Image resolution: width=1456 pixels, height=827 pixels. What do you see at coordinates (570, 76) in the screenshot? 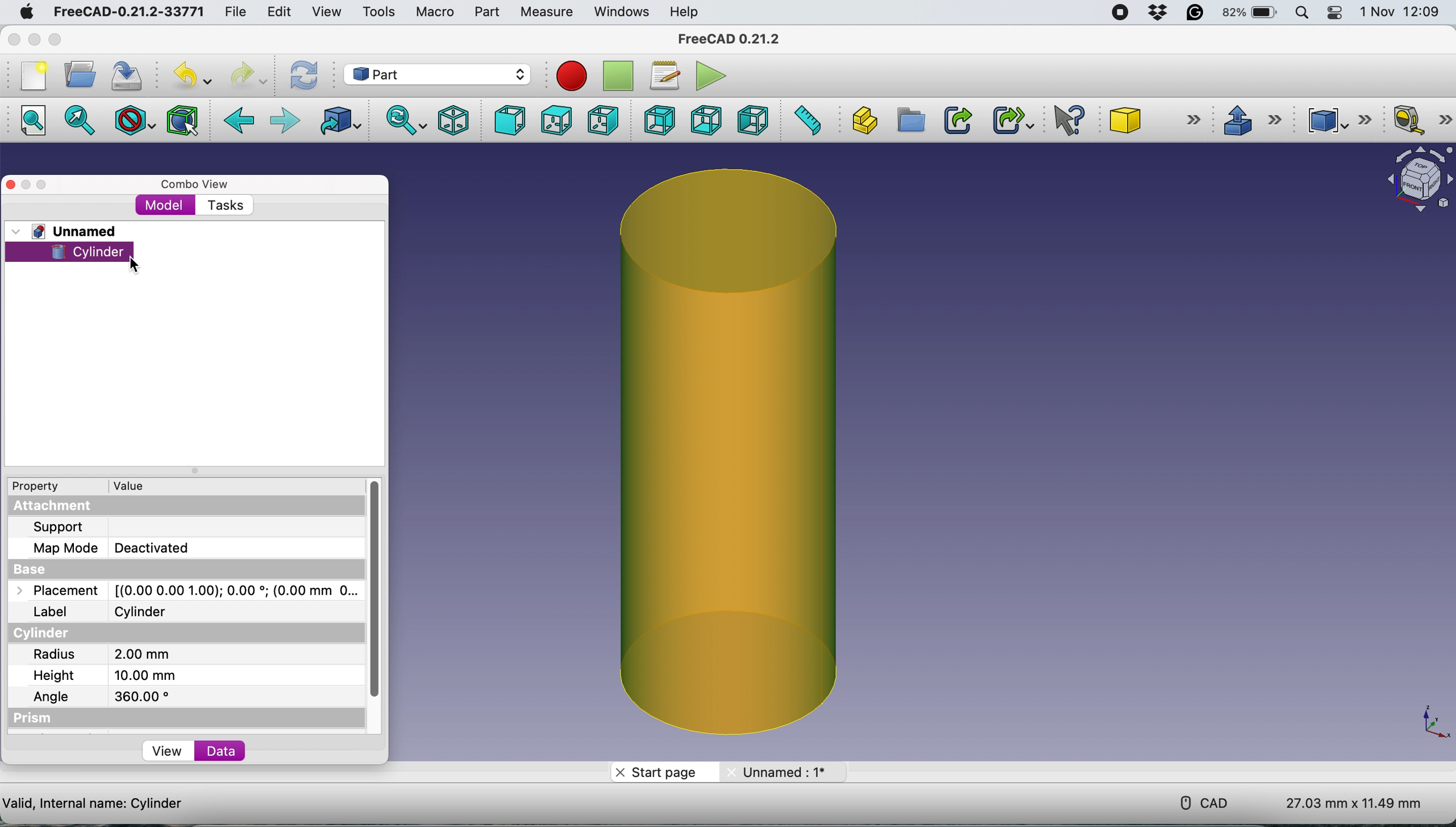
I see `record macros` at bounding box center [570, 76].